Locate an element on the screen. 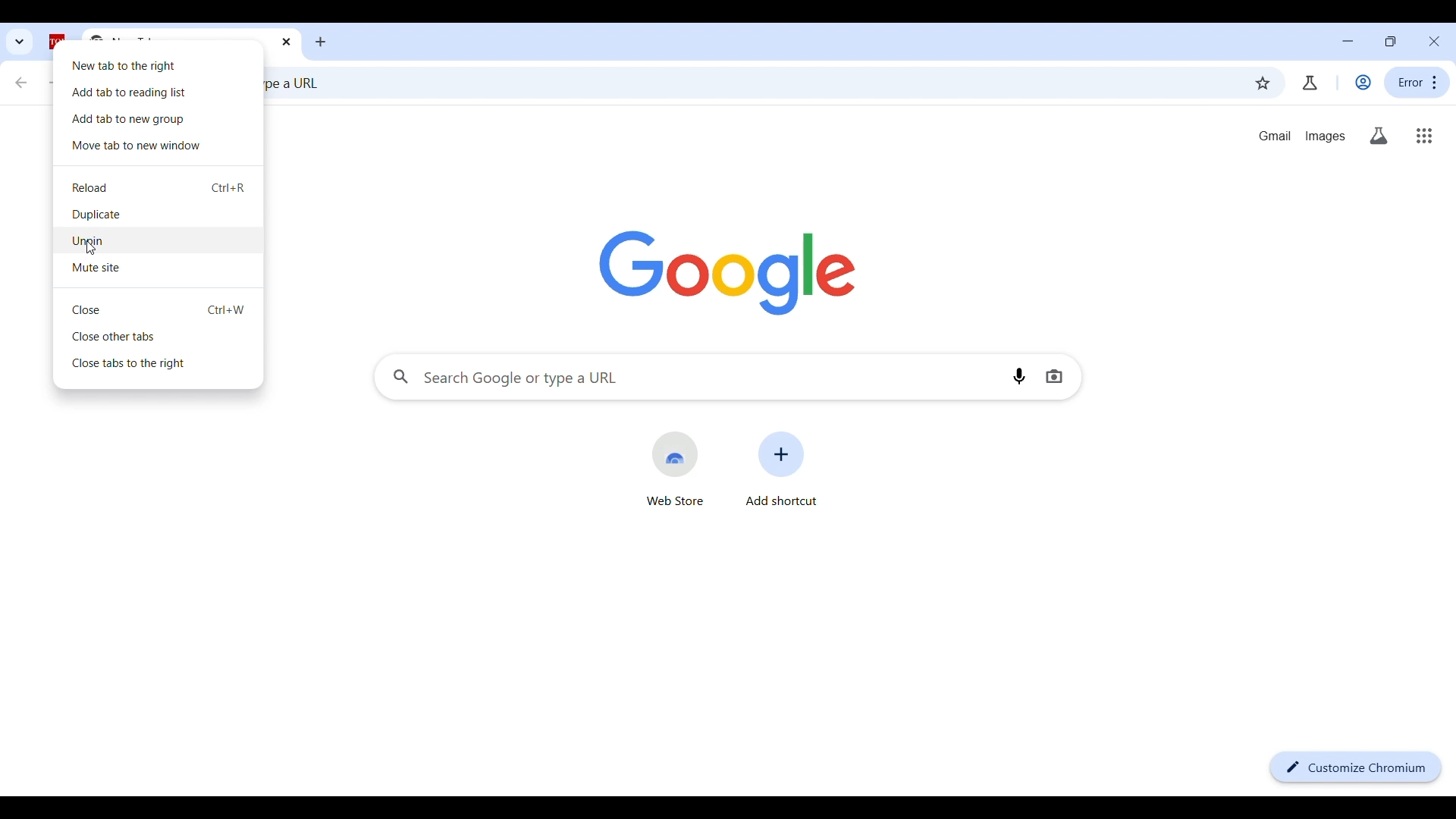 This screenshot has width=1456, height=819. Images is located at coordinates (1326, 136).